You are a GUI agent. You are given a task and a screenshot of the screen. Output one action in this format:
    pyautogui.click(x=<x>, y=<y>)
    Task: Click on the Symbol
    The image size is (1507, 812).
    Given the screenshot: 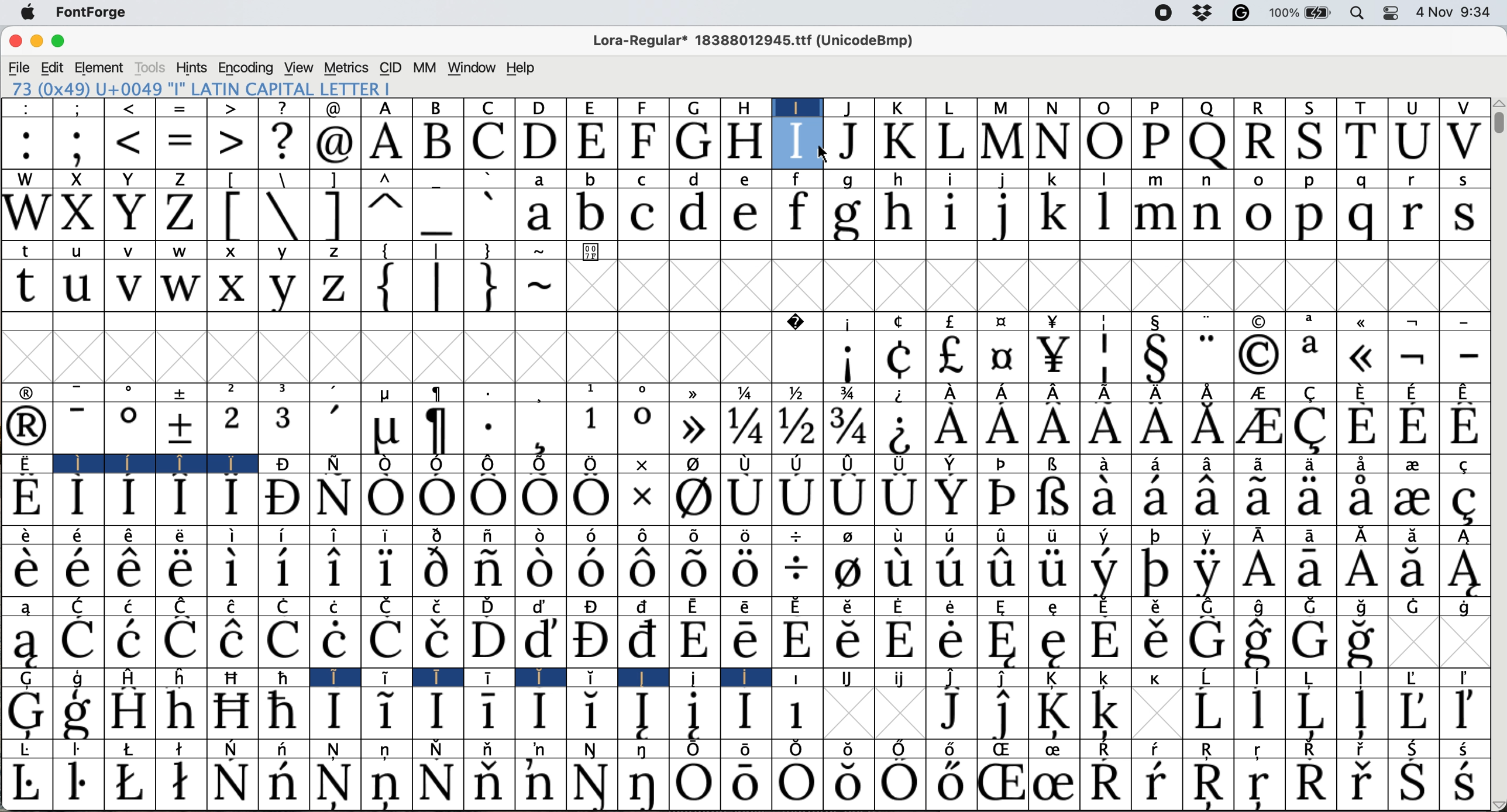 What is the action you would take?
    pyautogui.click(x=949, y=712)
    